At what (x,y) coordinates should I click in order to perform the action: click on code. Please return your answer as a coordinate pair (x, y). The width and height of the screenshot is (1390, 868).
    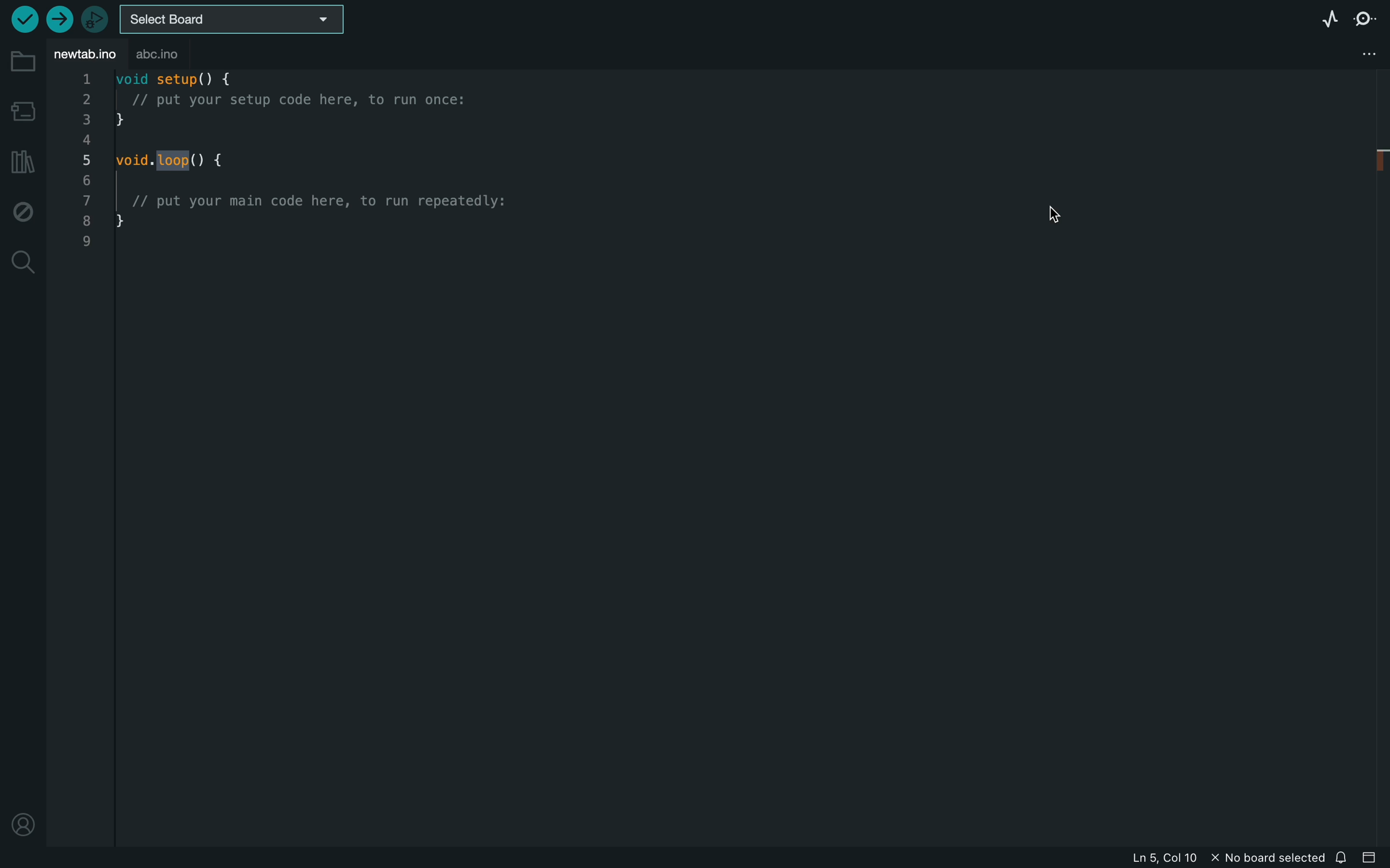
    Looking at the image, I should click on (293, 177).